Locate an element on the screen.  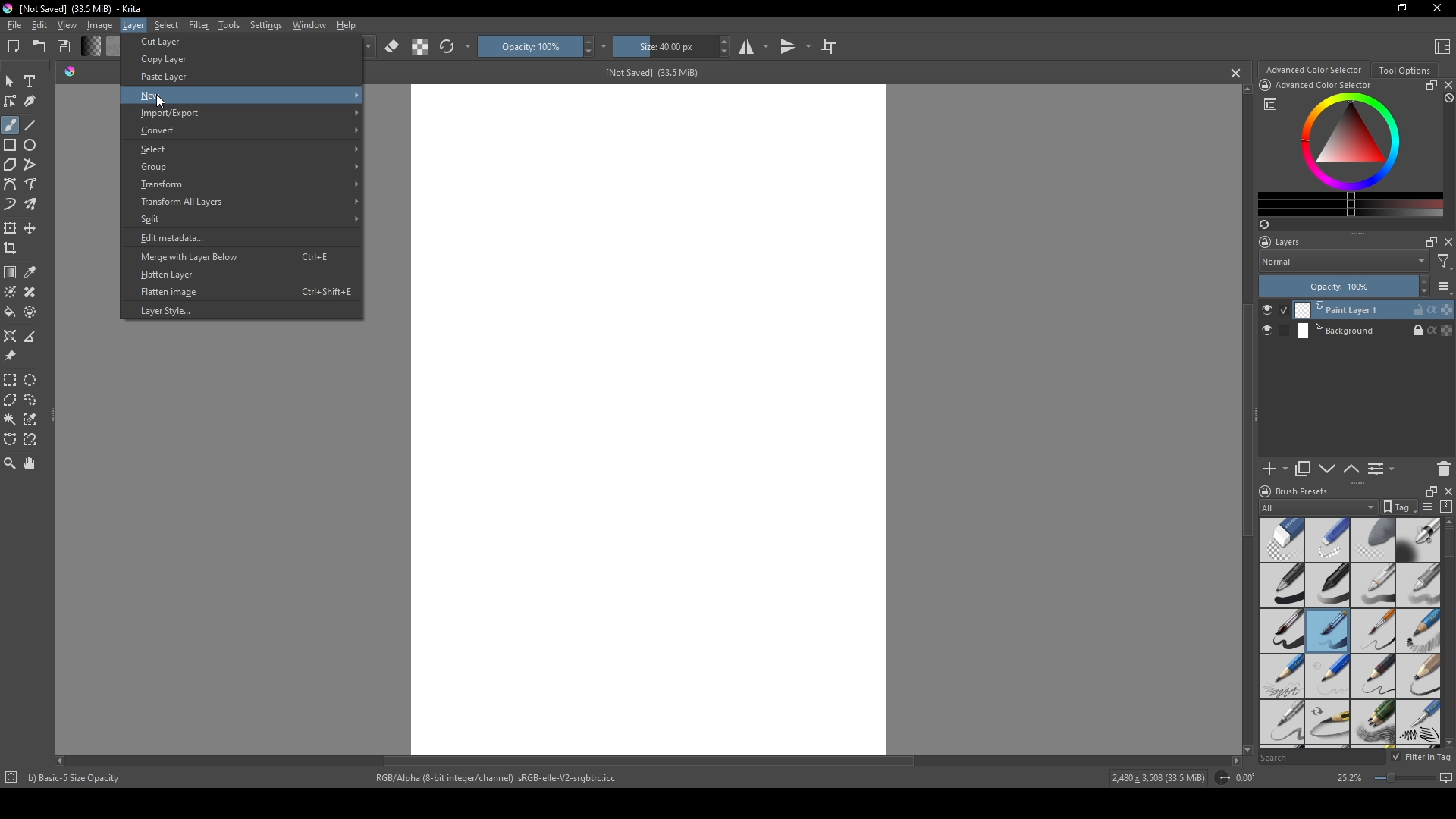
pencil is located at coordinates (1419, 676).